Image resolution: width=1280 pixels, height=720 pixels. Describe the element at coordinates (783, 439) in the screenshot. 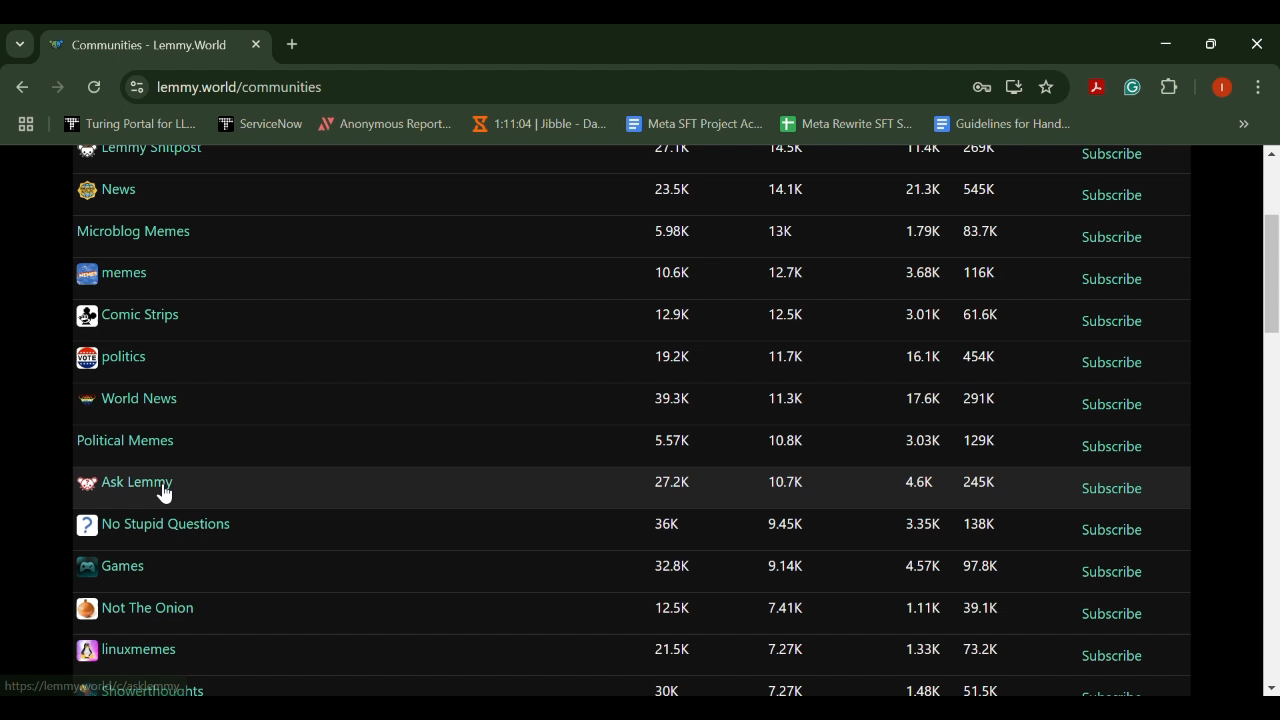

I see `10.8K` at that location.